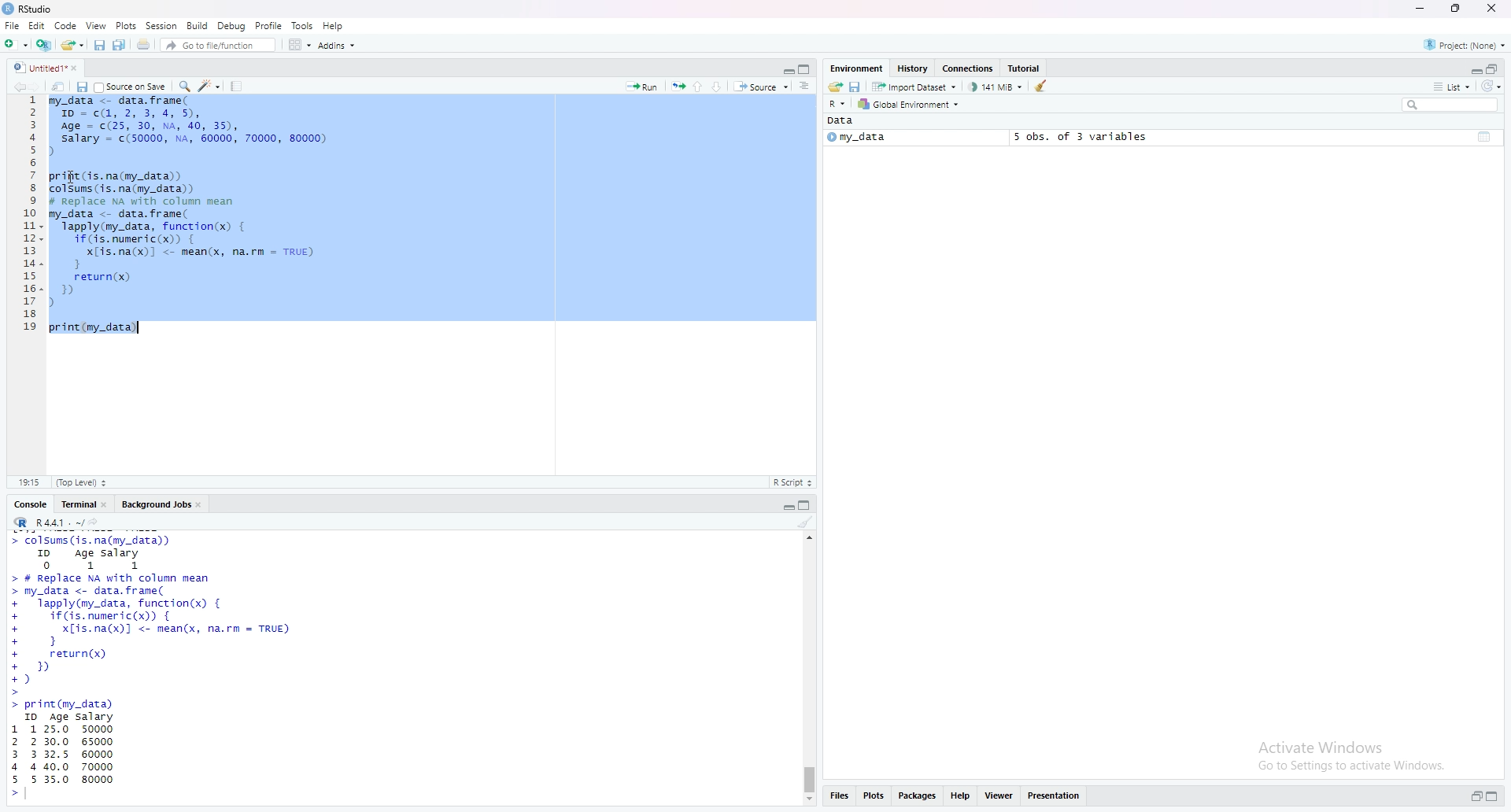 The image size is (1511, 812). I want to click on maximize, so click(1453, 8).